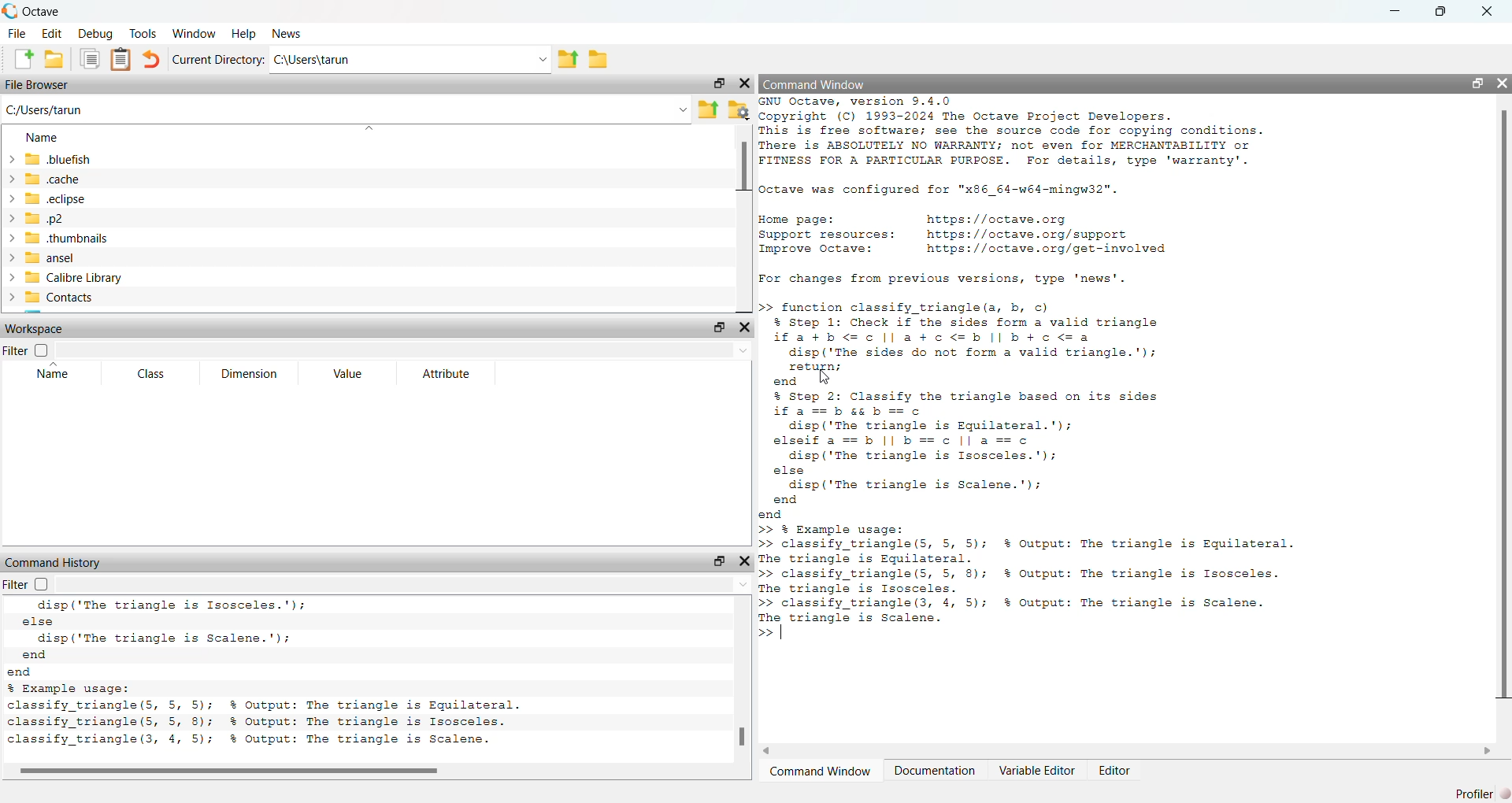  What do you see at coordinates (268, 742) in the screenshot?
I see `octave version and date` at bounding box center [268, 742].